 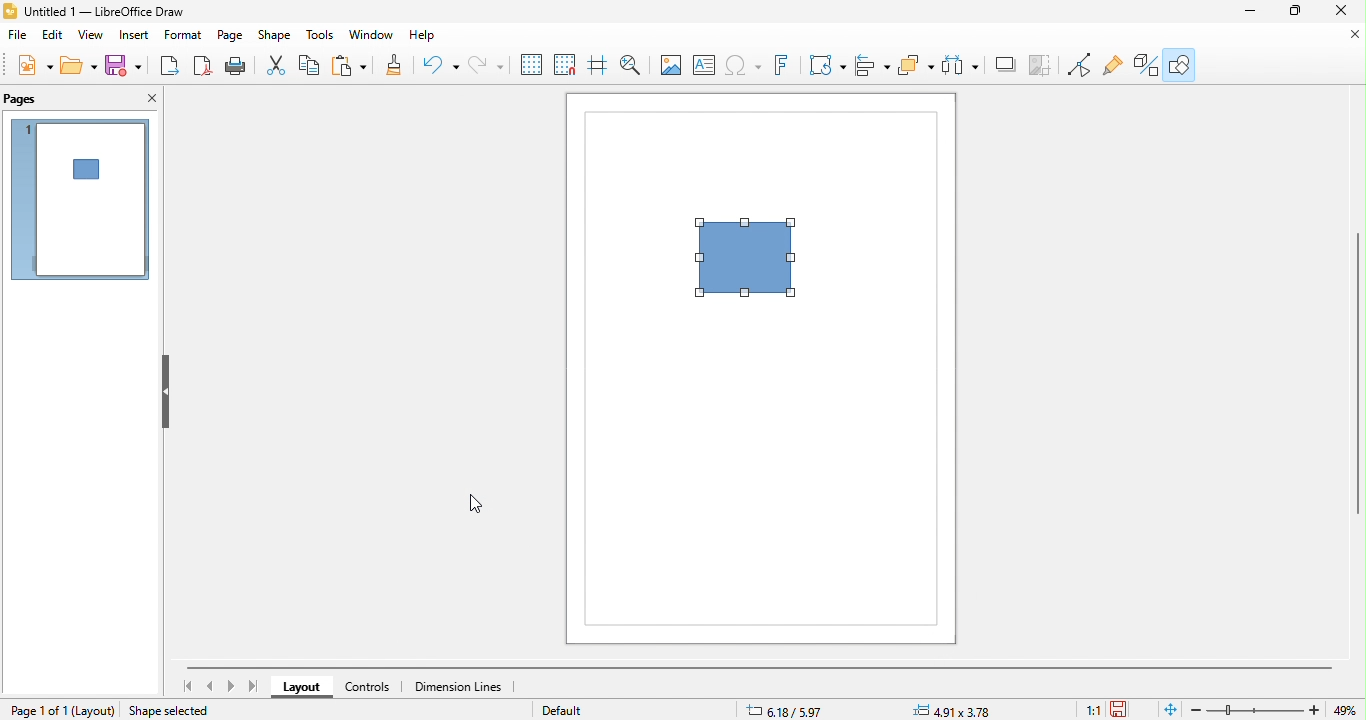 What do you see at coordinates (461, 687) in the screenshot?
I see `dimension lines` at bounding box center [461, 687].